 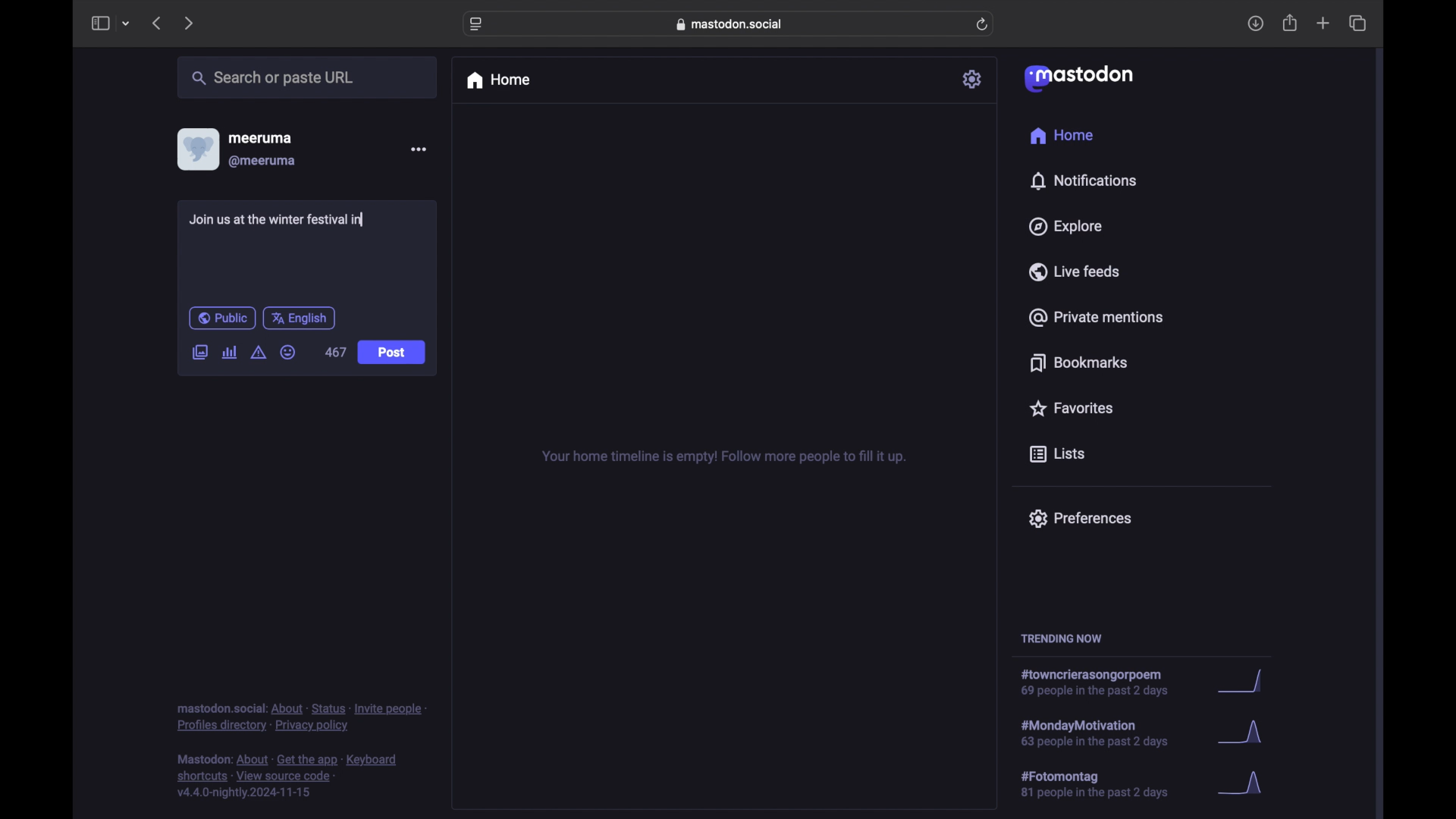 I want to click on new tab, so click(x=1323, y=23).